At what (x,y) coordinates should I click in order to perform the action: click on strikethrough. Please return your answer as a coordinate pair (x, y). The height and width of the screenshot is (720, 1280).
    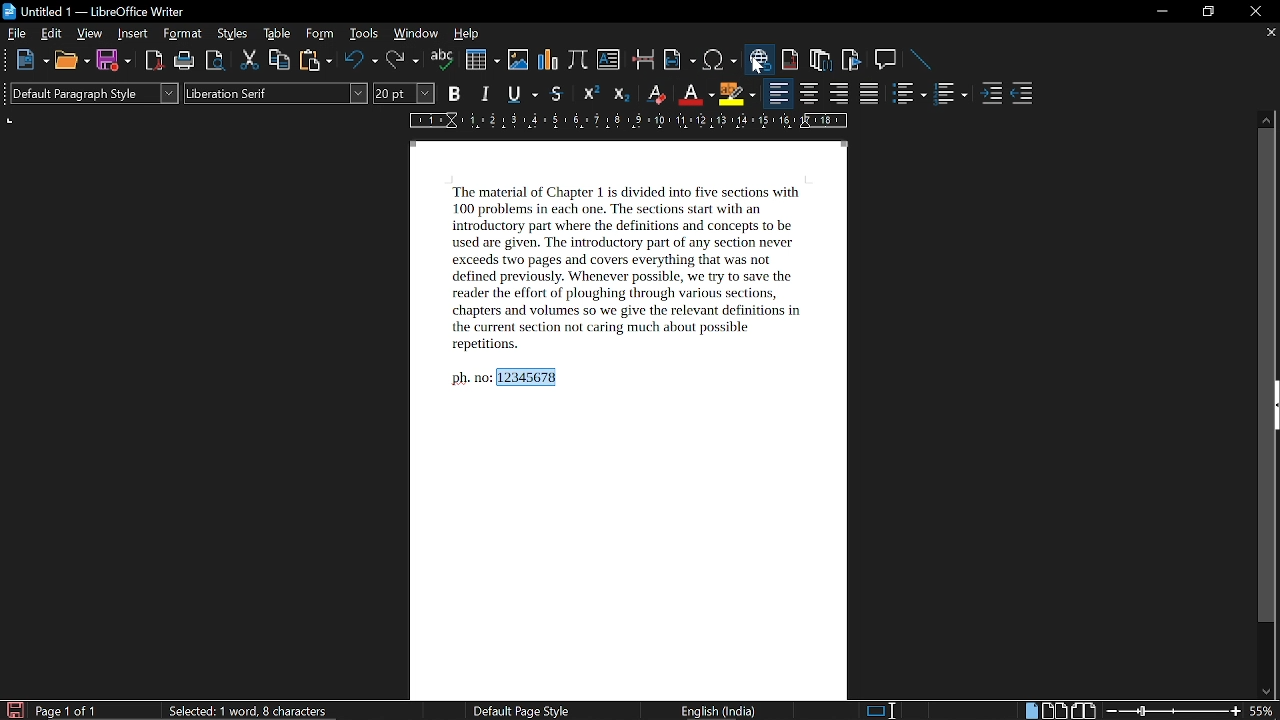
    Looking at the image, I should click on (556, 94).